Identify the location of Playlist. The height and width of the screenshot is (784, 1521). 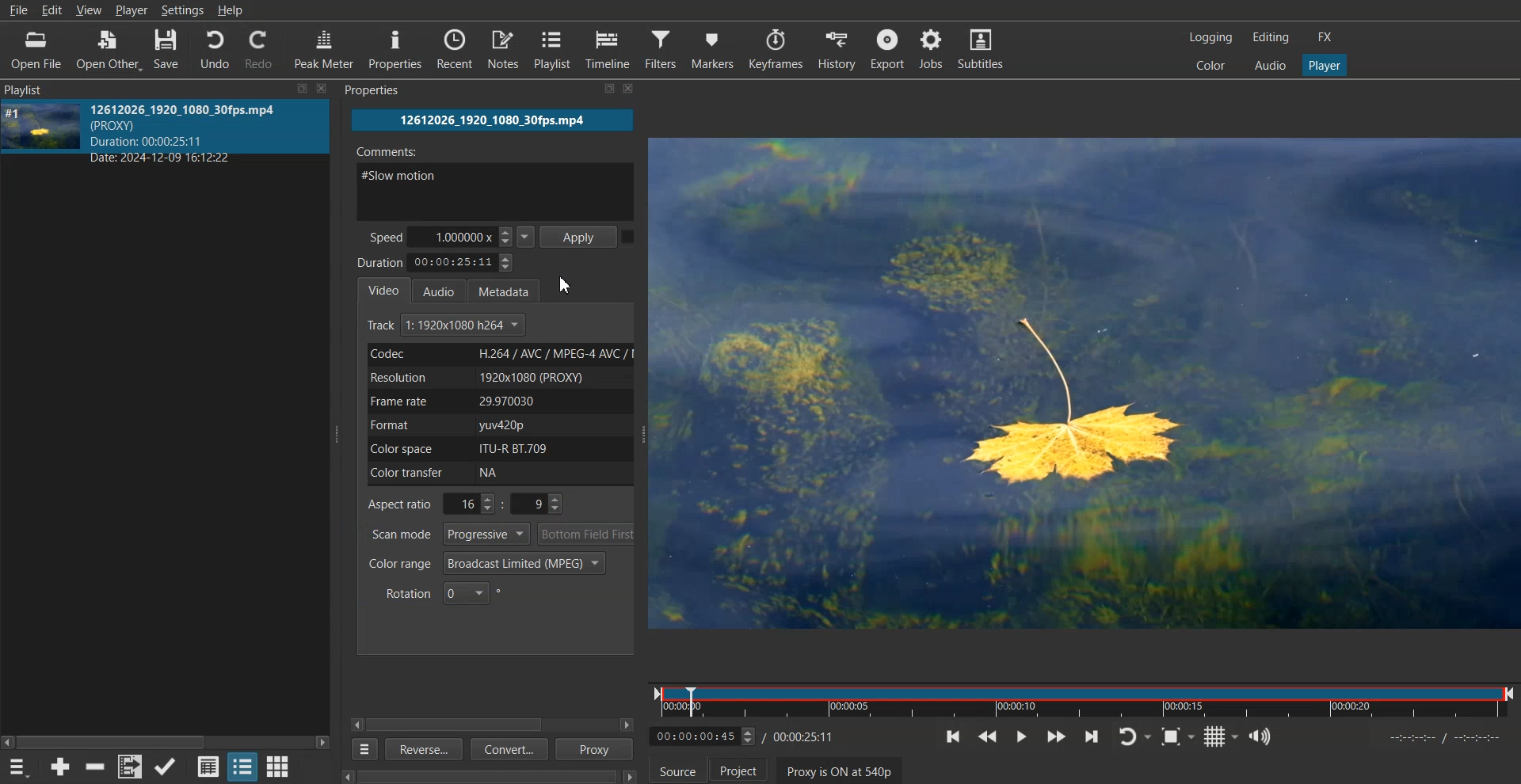
(554, 49).